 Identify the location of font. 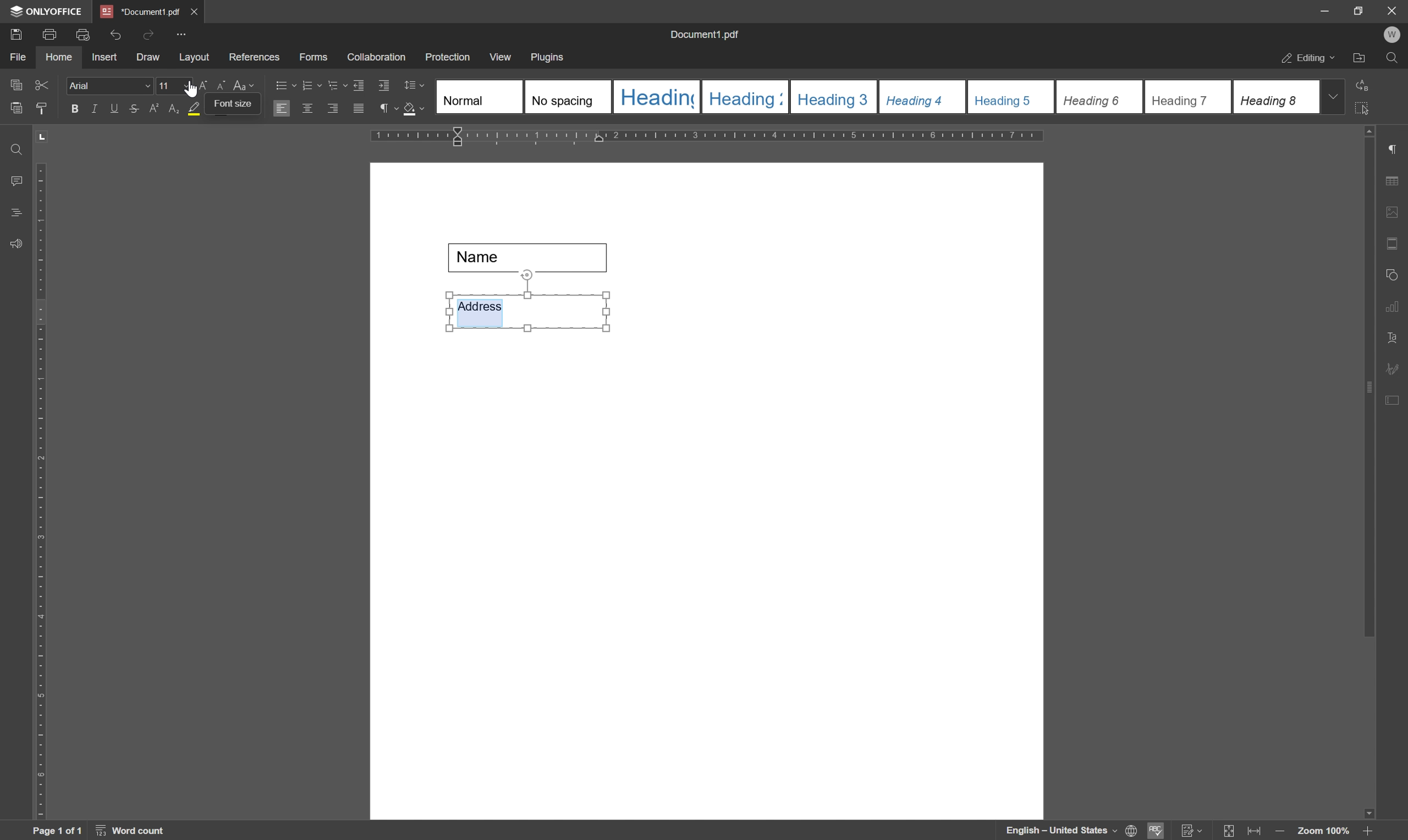
(110, 86).